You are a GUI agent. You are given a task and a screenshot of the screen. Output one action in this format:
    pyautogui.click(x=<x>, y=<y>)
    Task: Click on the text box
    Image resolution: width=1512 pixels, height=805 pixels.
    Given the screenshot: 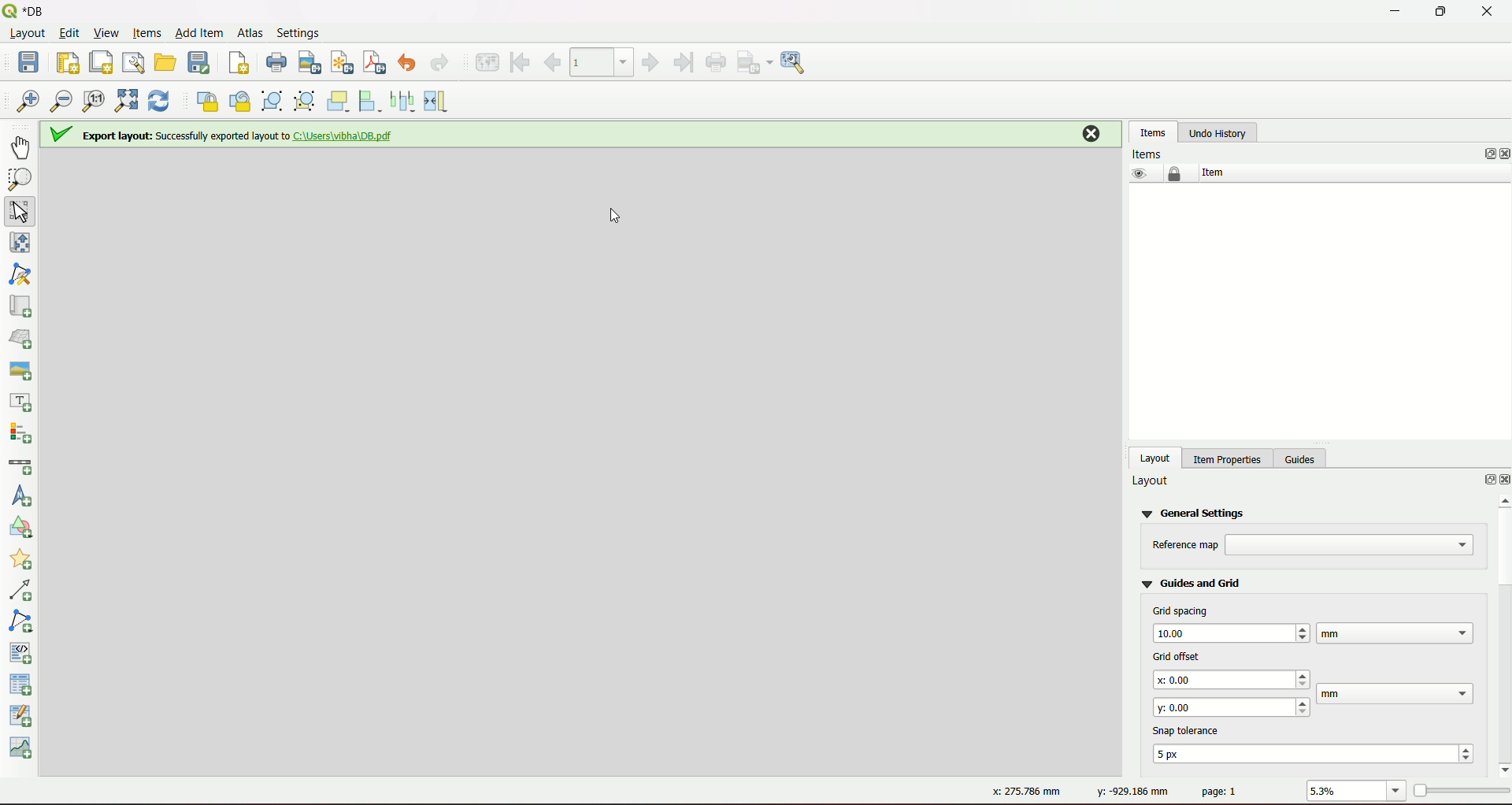 What is the action you would take?
    pyautogui.click(x=1233, y=680)
    